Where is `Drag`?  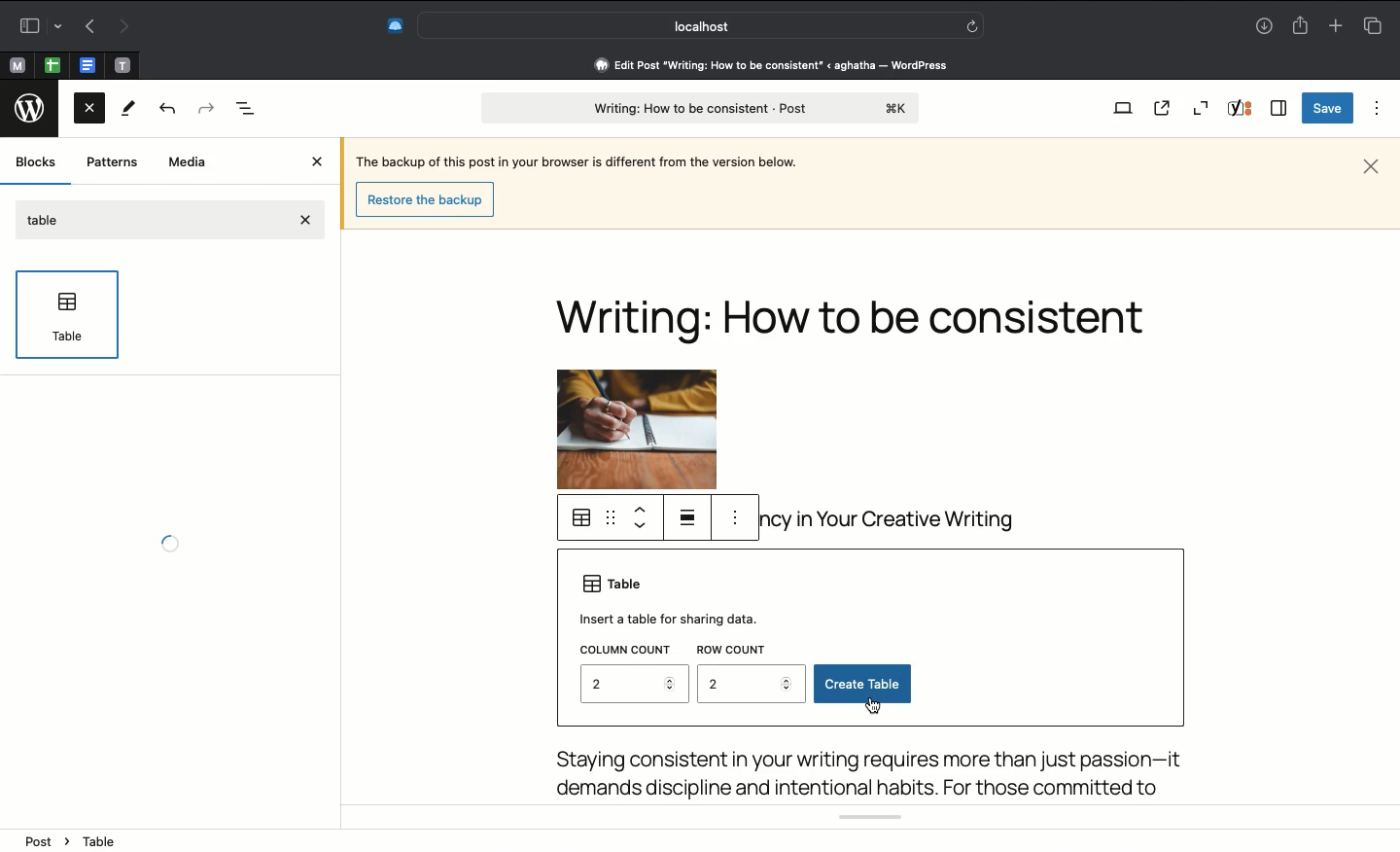
Drag is located at coordinates (612, 517).